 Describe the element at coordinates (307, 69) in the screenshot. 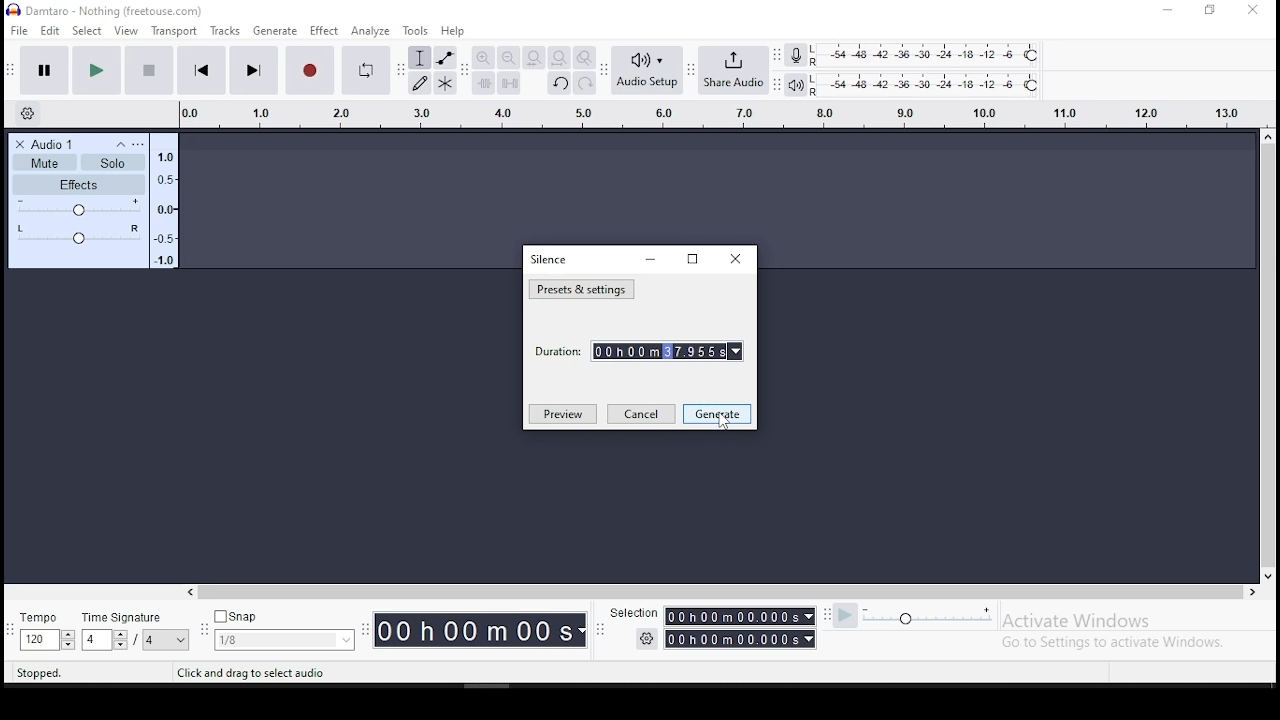

I see `record` at that location.